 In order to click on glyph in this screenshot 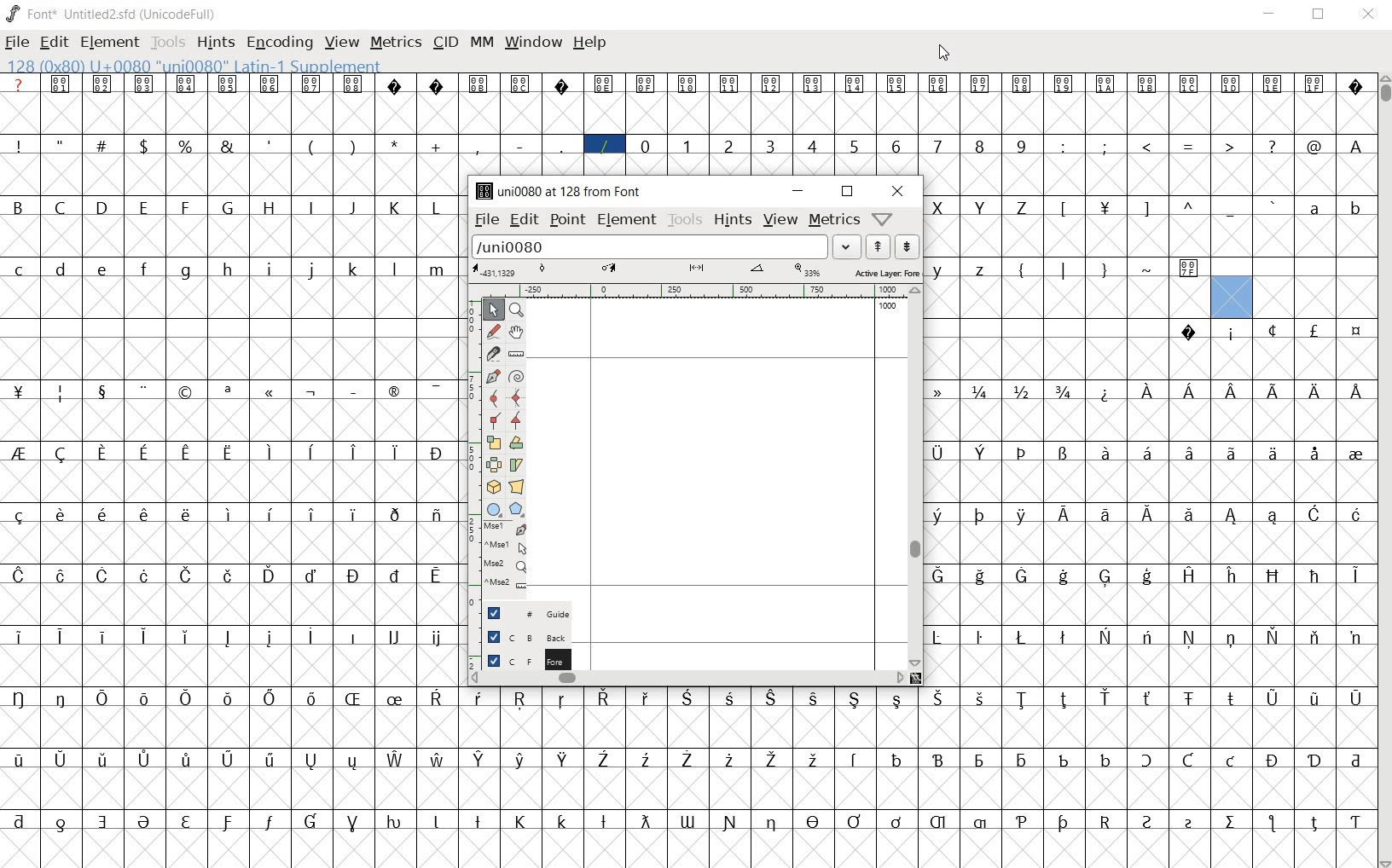, I will do `click(939, 698)`.